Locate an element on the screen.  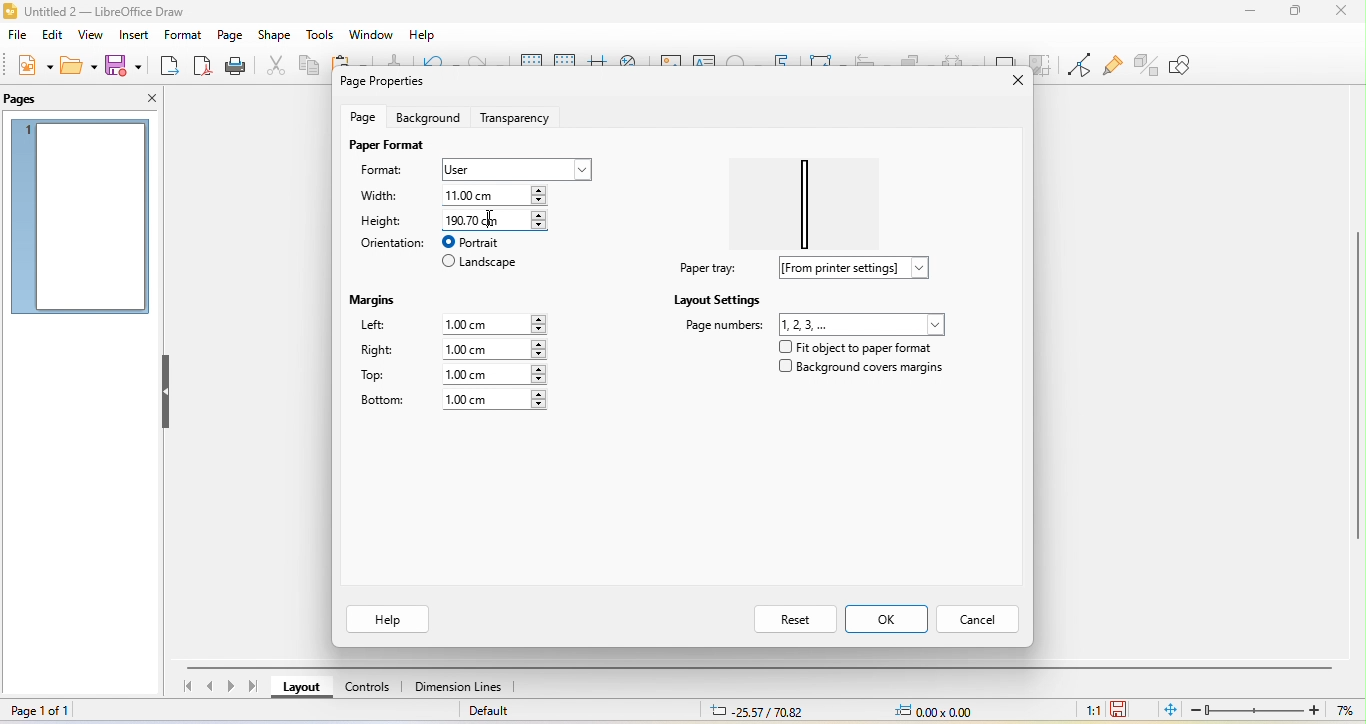
horizontal scroll bar is located at coordinates (763, 665).